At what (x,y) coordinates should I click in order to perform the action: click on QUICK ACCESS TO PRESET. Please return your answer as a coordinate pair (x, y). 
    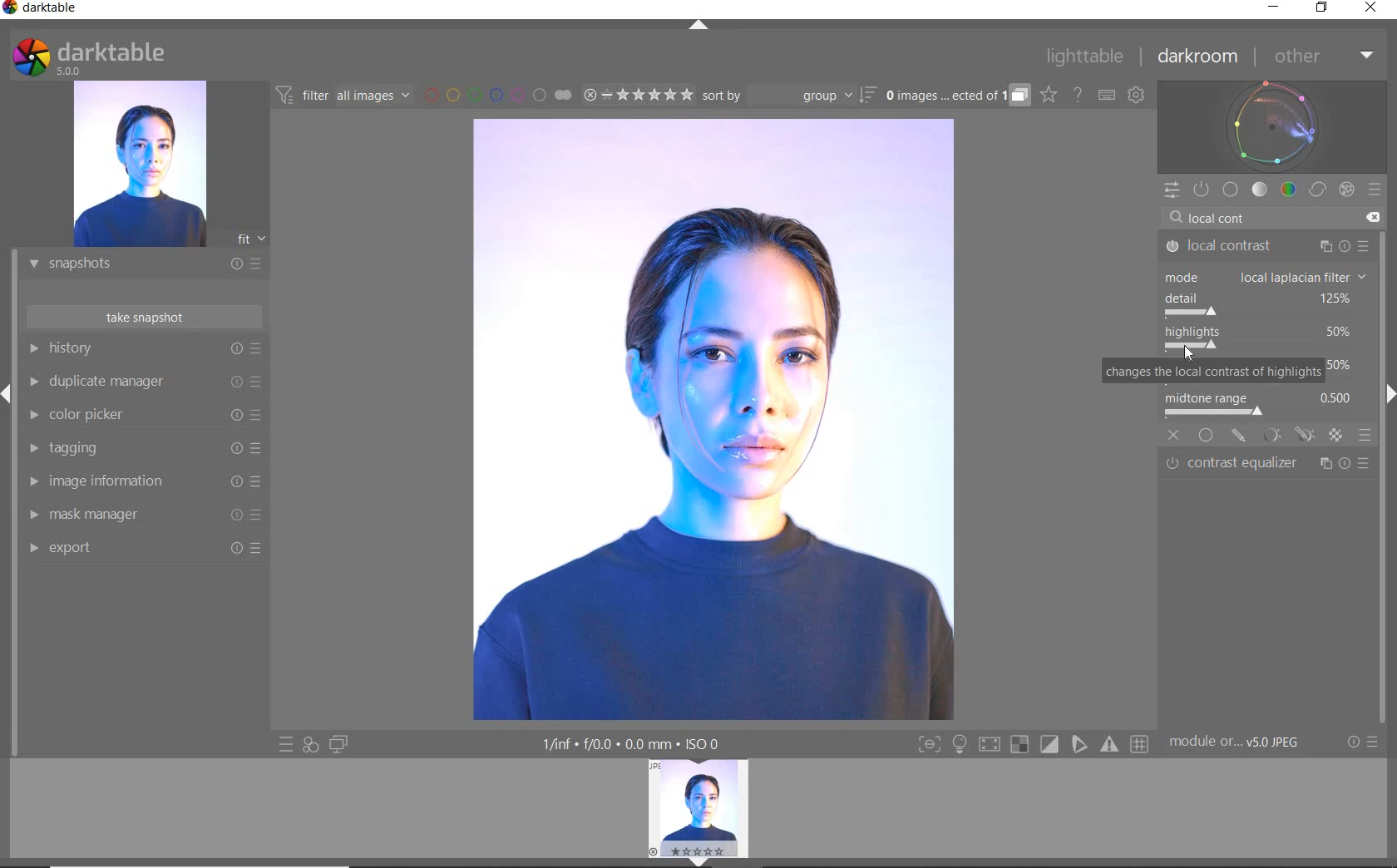
    Looking at the image, I should click on (287, 746).